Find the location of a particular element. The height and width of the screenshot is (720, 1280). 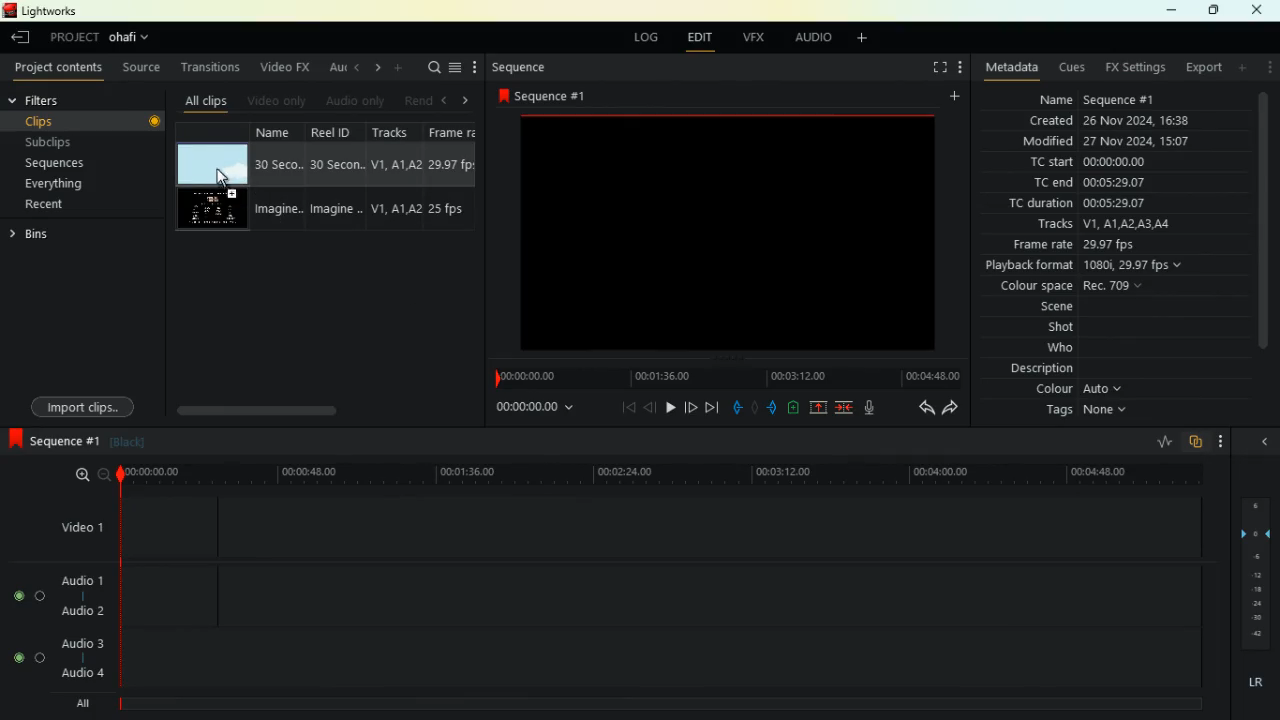

rate is located at coordinates (1158, 442).